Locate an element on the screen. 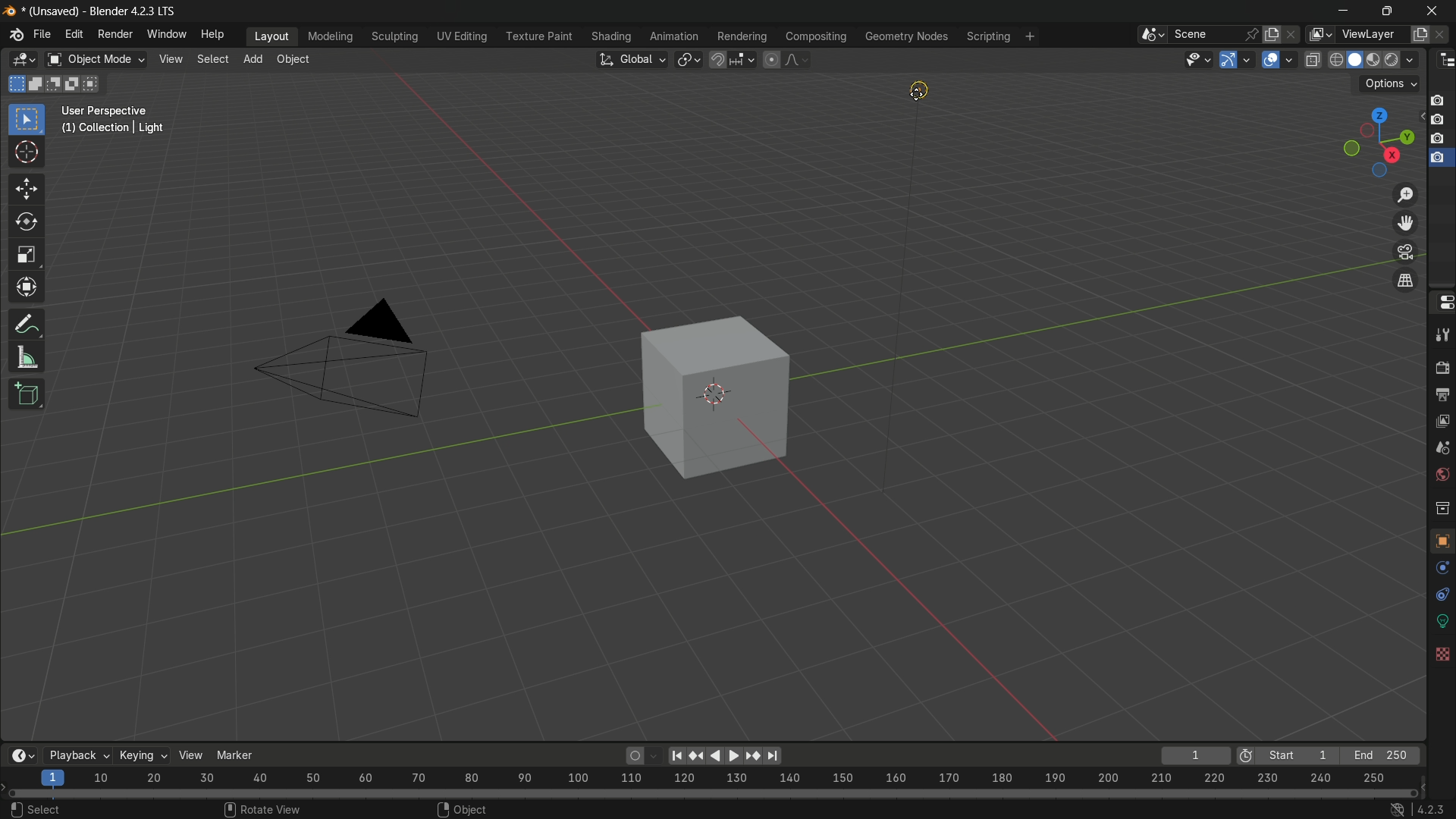 This screenshot has height=819, width=1456. output is located at coordinates (1441, 393).